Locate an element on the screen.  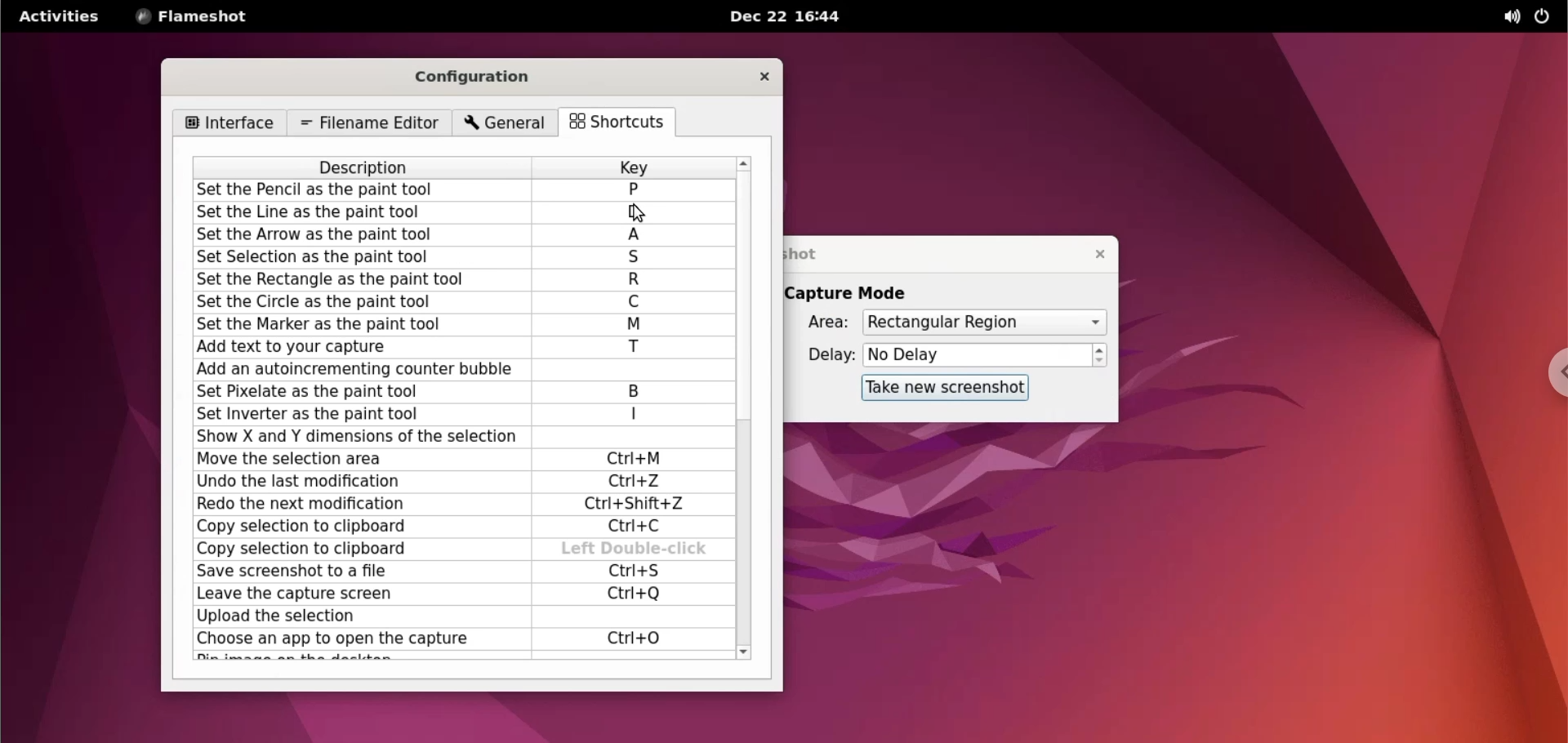
set the pencil as the paint tool is located at coordinates (365, 191).